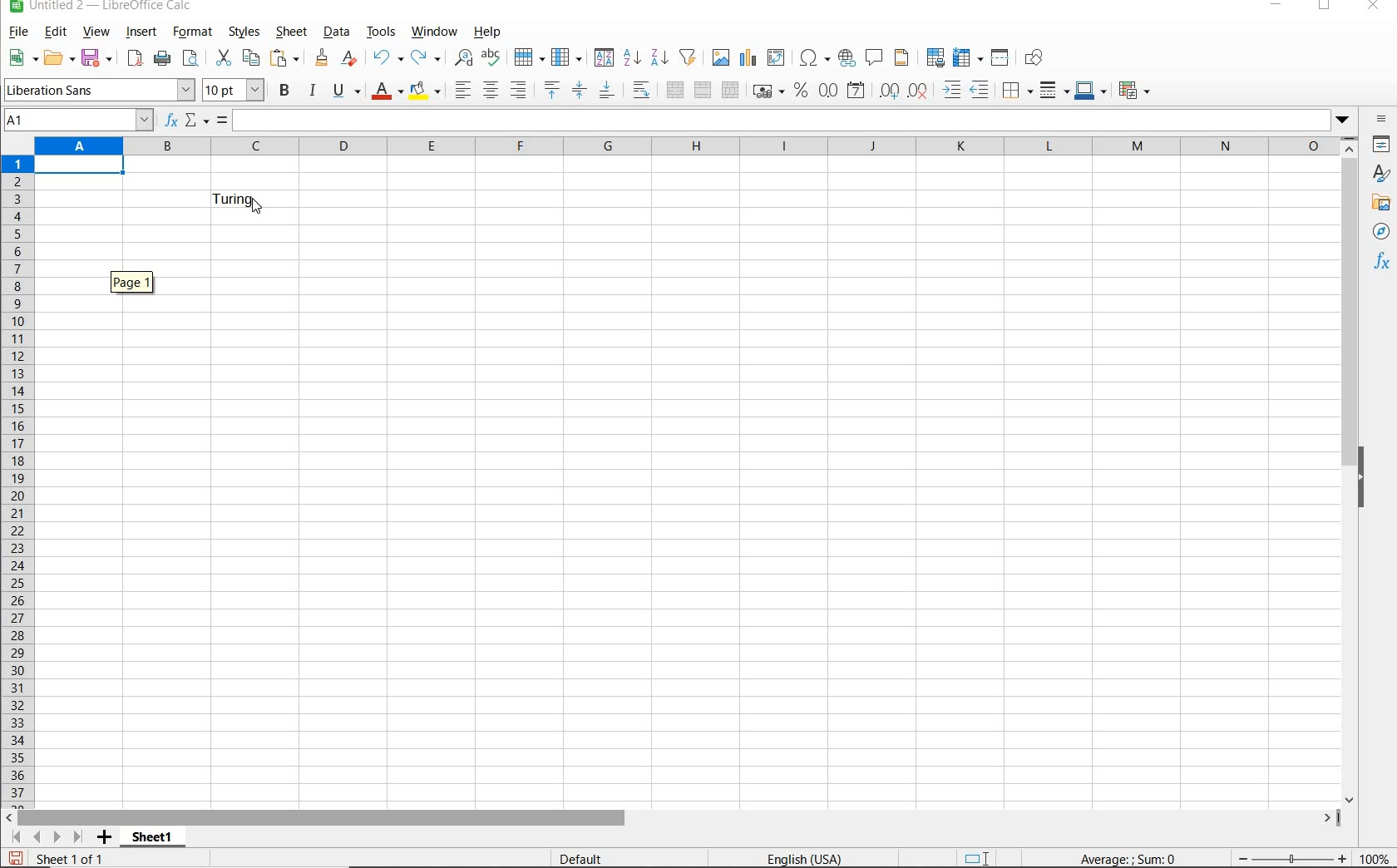  Describe the element at coordinates (1383, 233) in the screenshot. I see `NAVIGATOR` at that location.